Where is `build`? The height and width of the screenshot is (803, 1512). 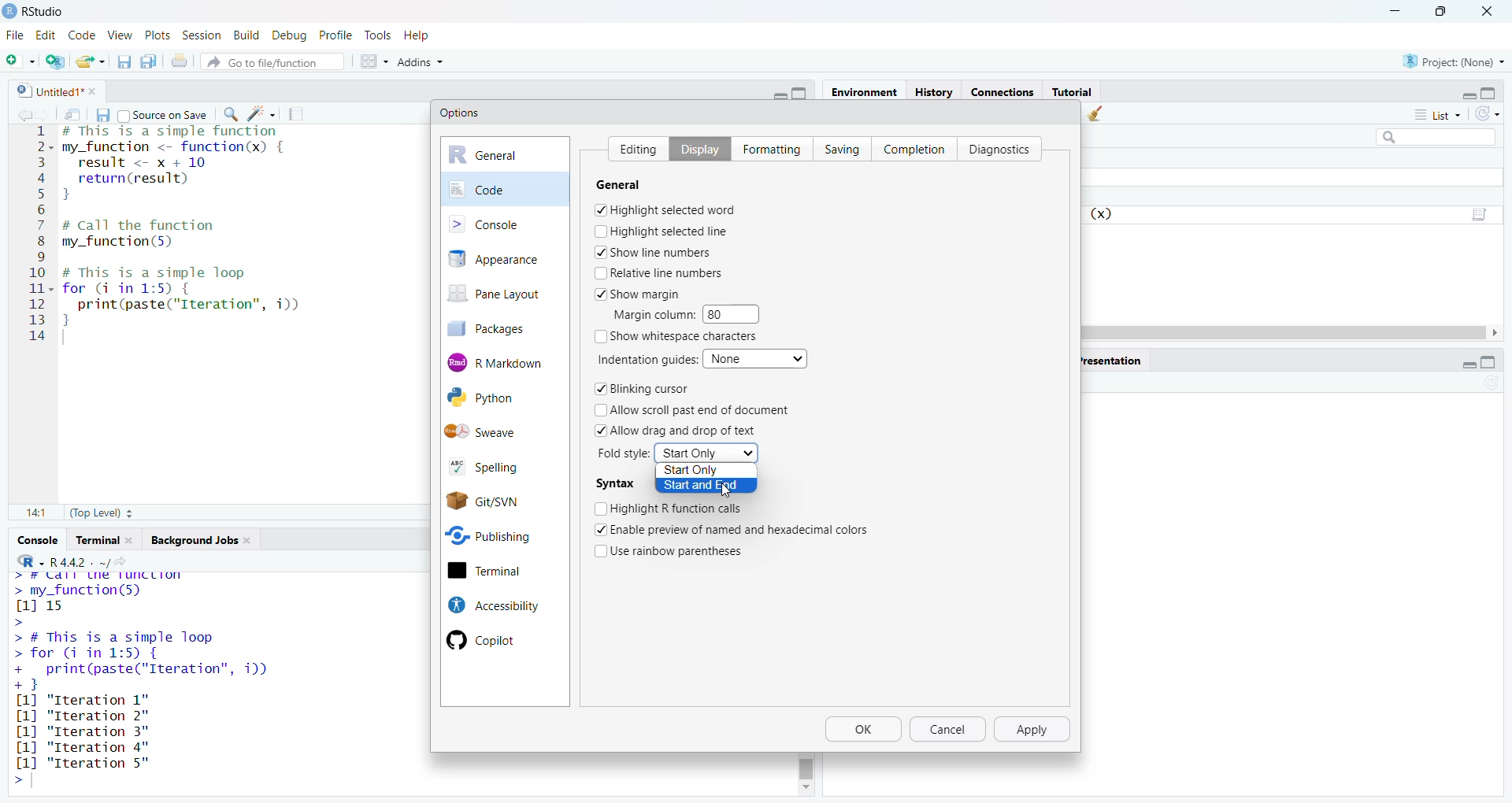
build is located at coordinates (245, 32).